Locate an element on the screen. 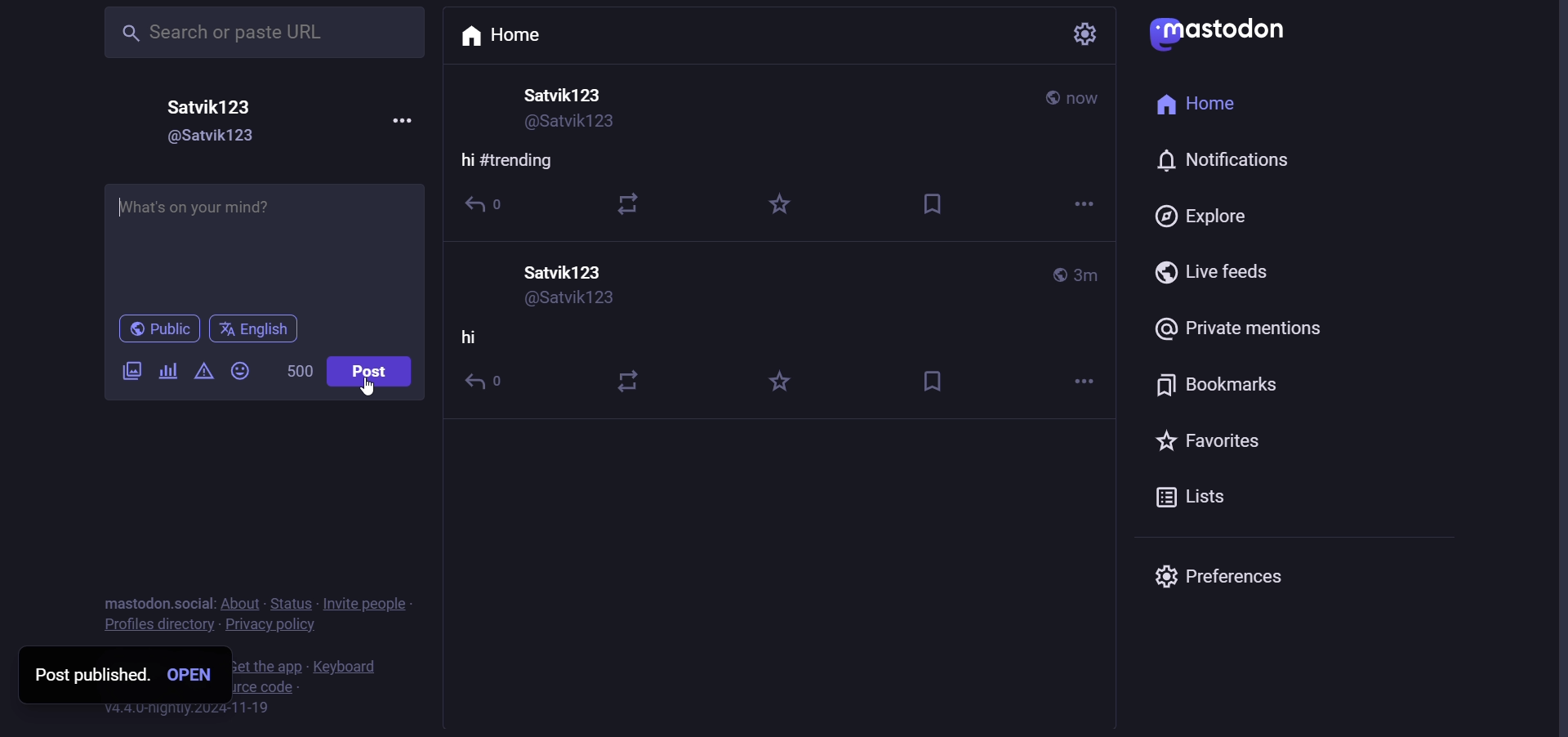 This screenshot has height=737, width=1568. last modified is located at coordinates (1087, 276).